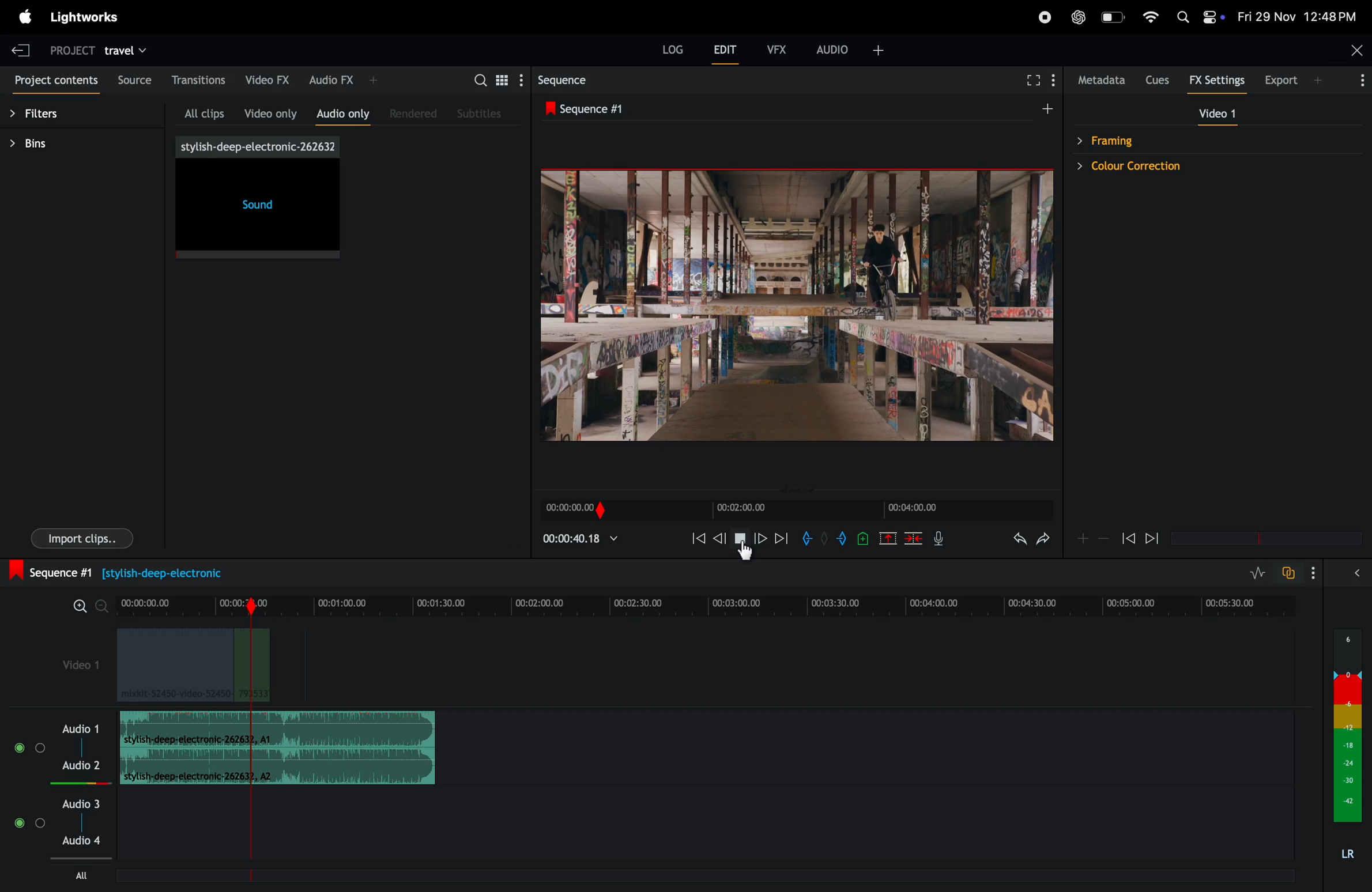 This screenshot has width=1372, height=892. Describe the element at coordinates (1128, 536) in the screenshot. I see `previous frame` at that location.